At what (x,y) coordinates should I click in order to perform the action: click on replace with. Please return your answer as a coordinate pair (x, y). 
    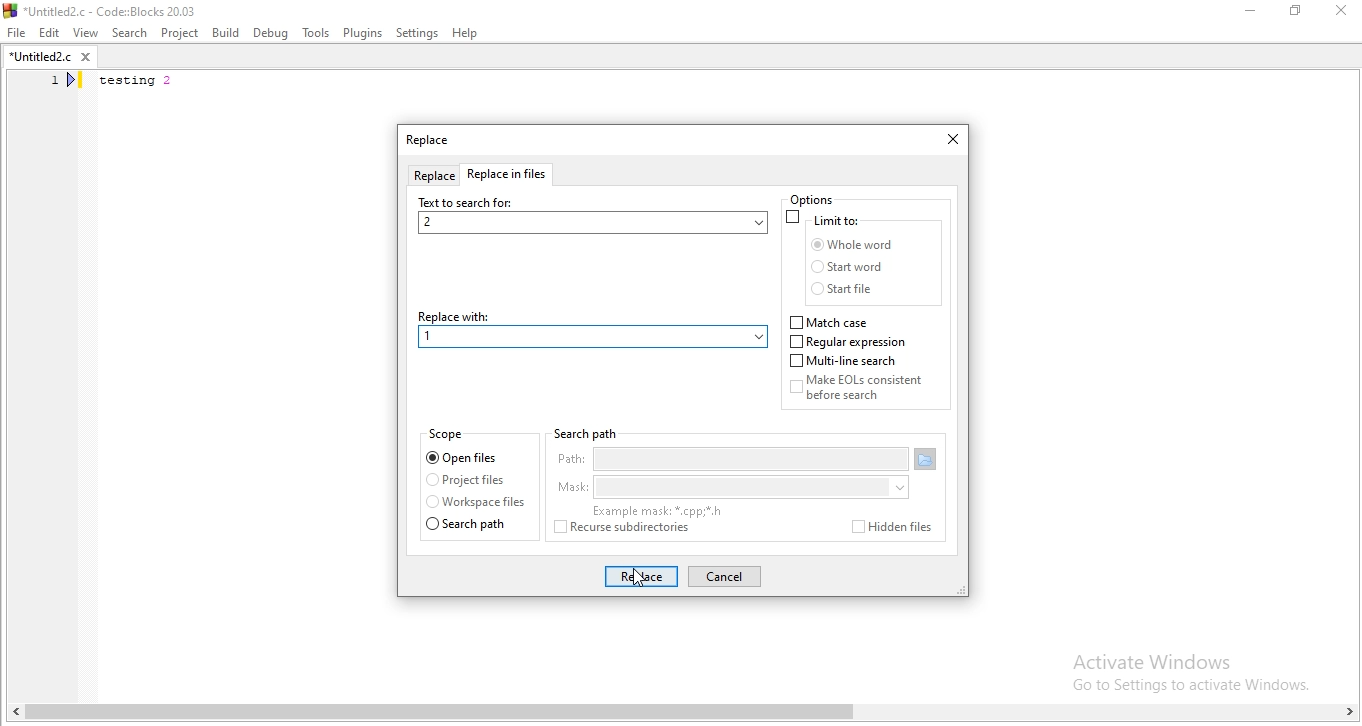
    Looking at the image, I should click on (591, 315).